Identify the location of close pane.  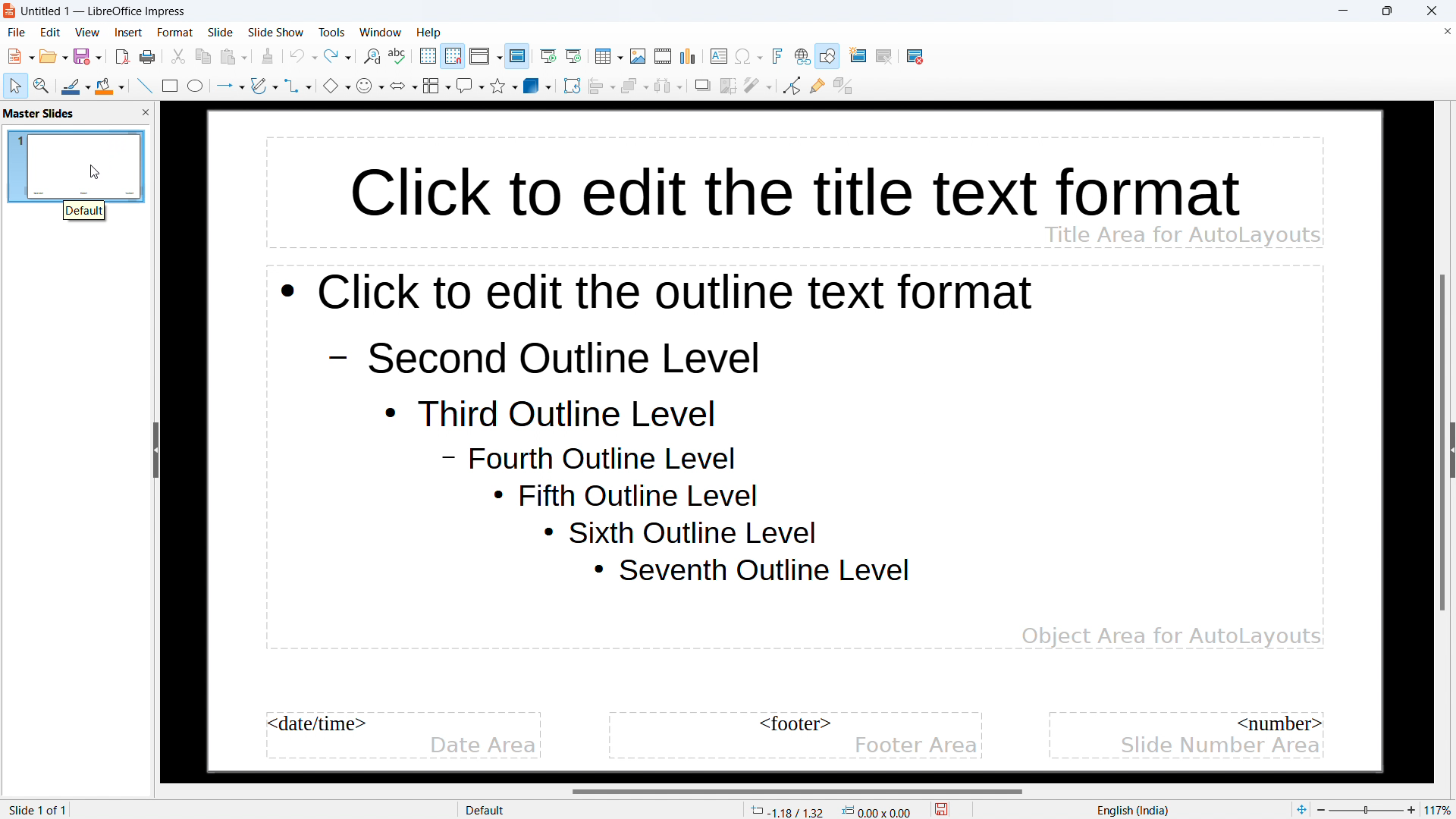
(145, 112).